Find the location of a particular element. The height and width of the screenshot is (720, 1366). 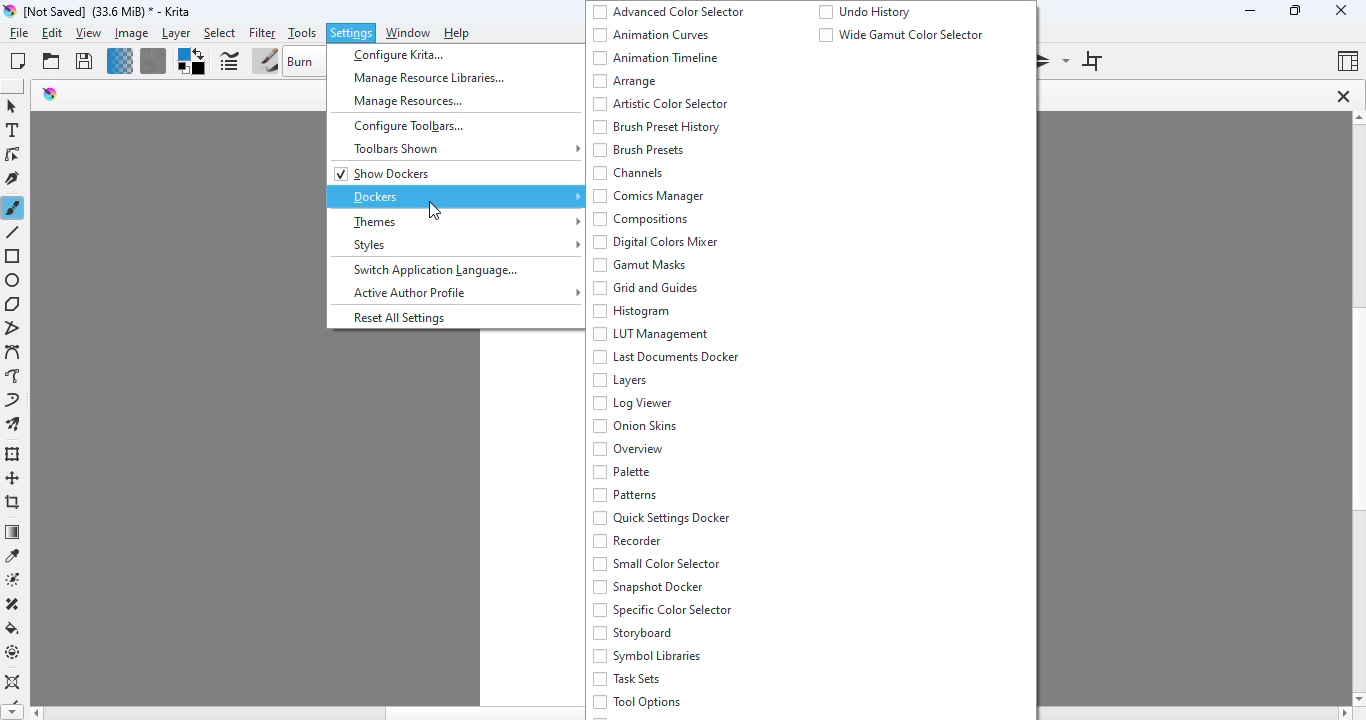

recorder is located at coordinates (629, 541).